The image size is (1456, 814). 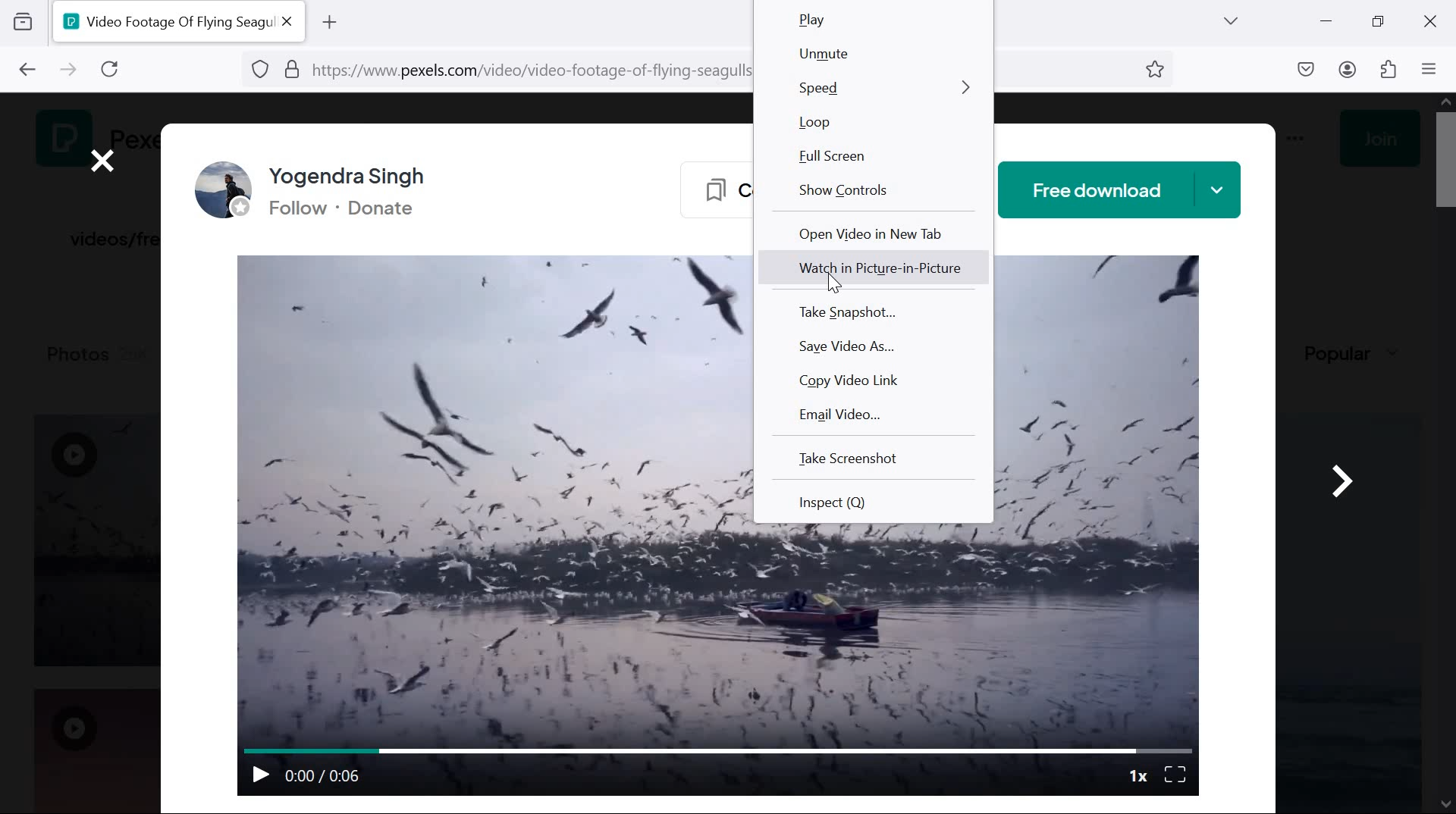 What do you see at coordinates (289, 22) in the screenshot?
I see `close` at bounding box center [289, 22].